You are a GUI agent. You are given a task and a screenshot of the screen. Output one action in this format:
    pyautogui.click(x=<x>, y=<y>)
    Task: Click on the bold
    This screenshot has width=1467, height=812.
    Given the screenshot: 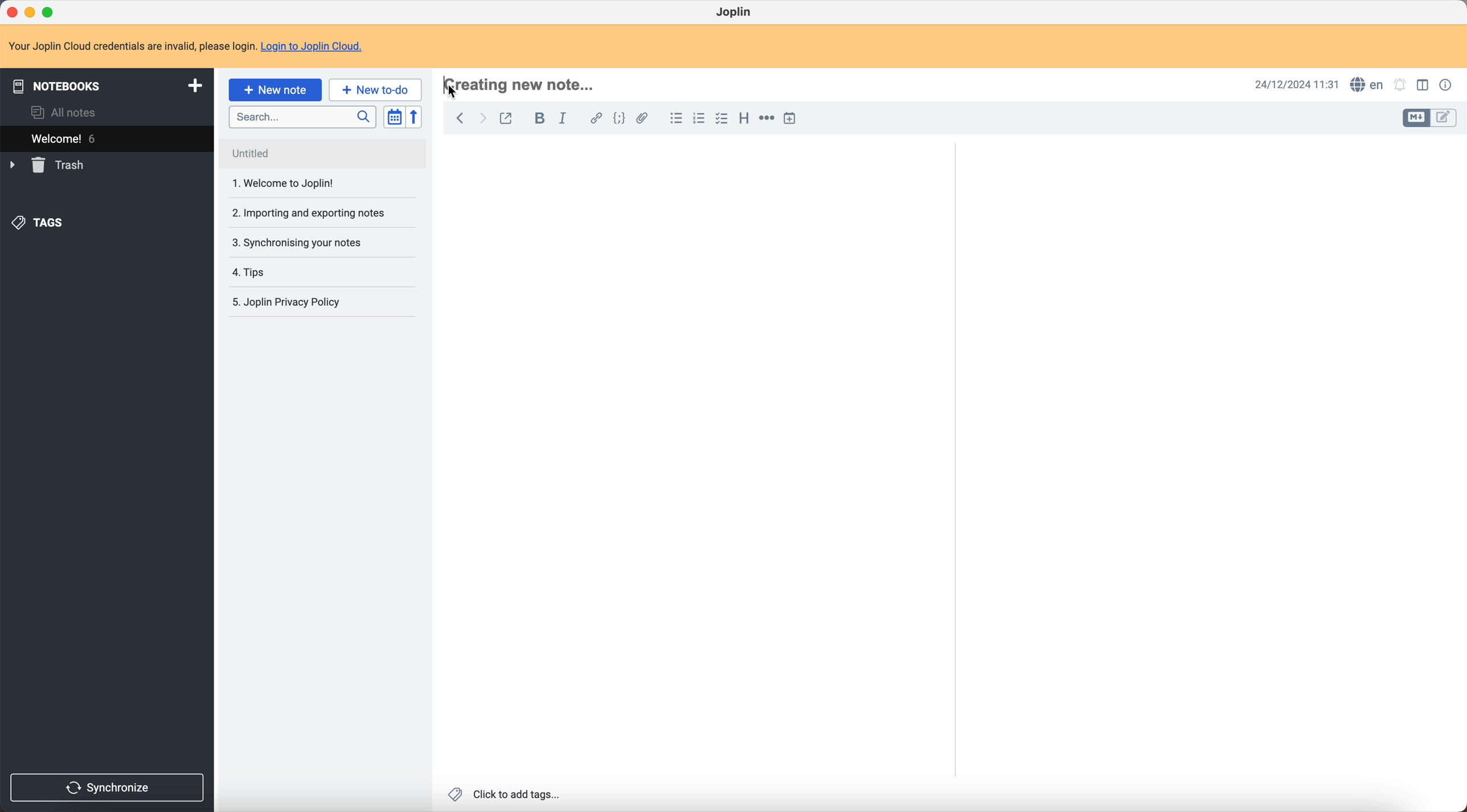 What is the action you would take?
    pyautogui.click(x=538, y=118)
    